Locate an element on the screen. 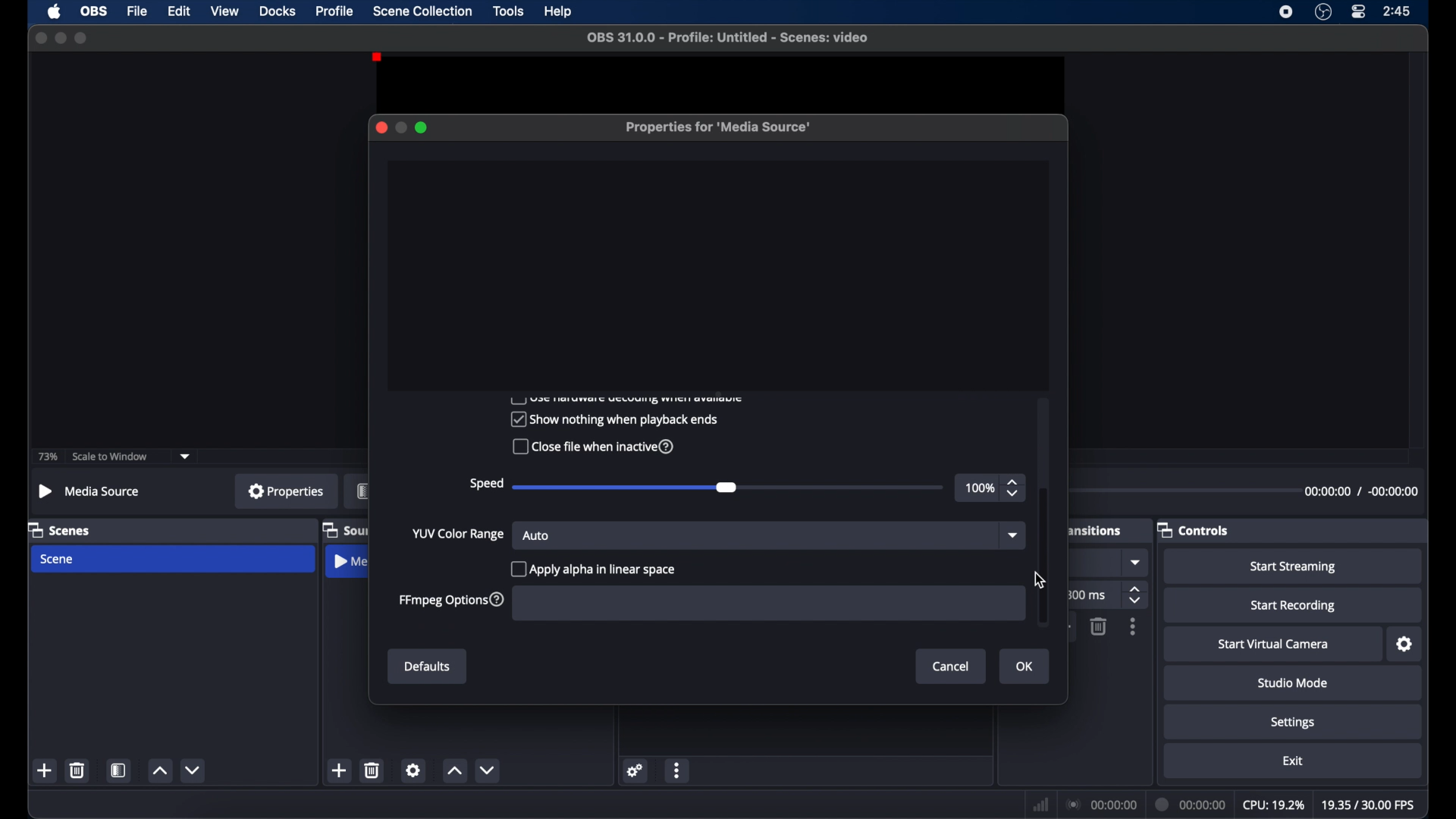 Image resolution: width=1456 pixels, height=819 pixels. slider is located at coordinates (730, 488).